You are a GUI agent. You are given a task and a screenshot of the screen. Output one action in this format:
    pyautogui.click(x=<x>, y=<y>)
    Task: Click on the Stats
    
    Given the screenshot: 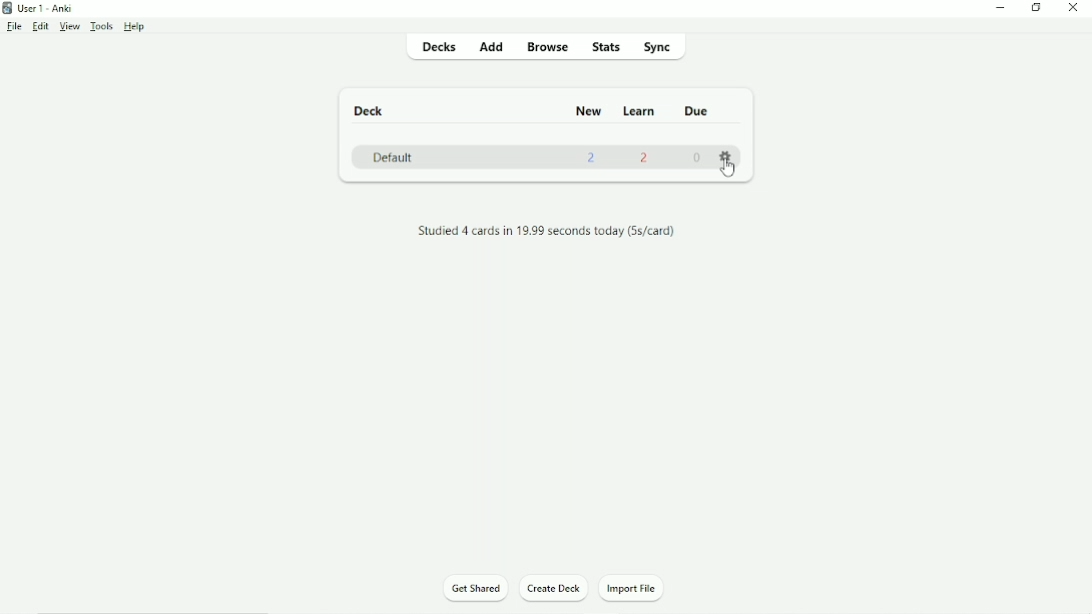 What is the action you would take?
    pyautogui.click(x=606, y=46)
    